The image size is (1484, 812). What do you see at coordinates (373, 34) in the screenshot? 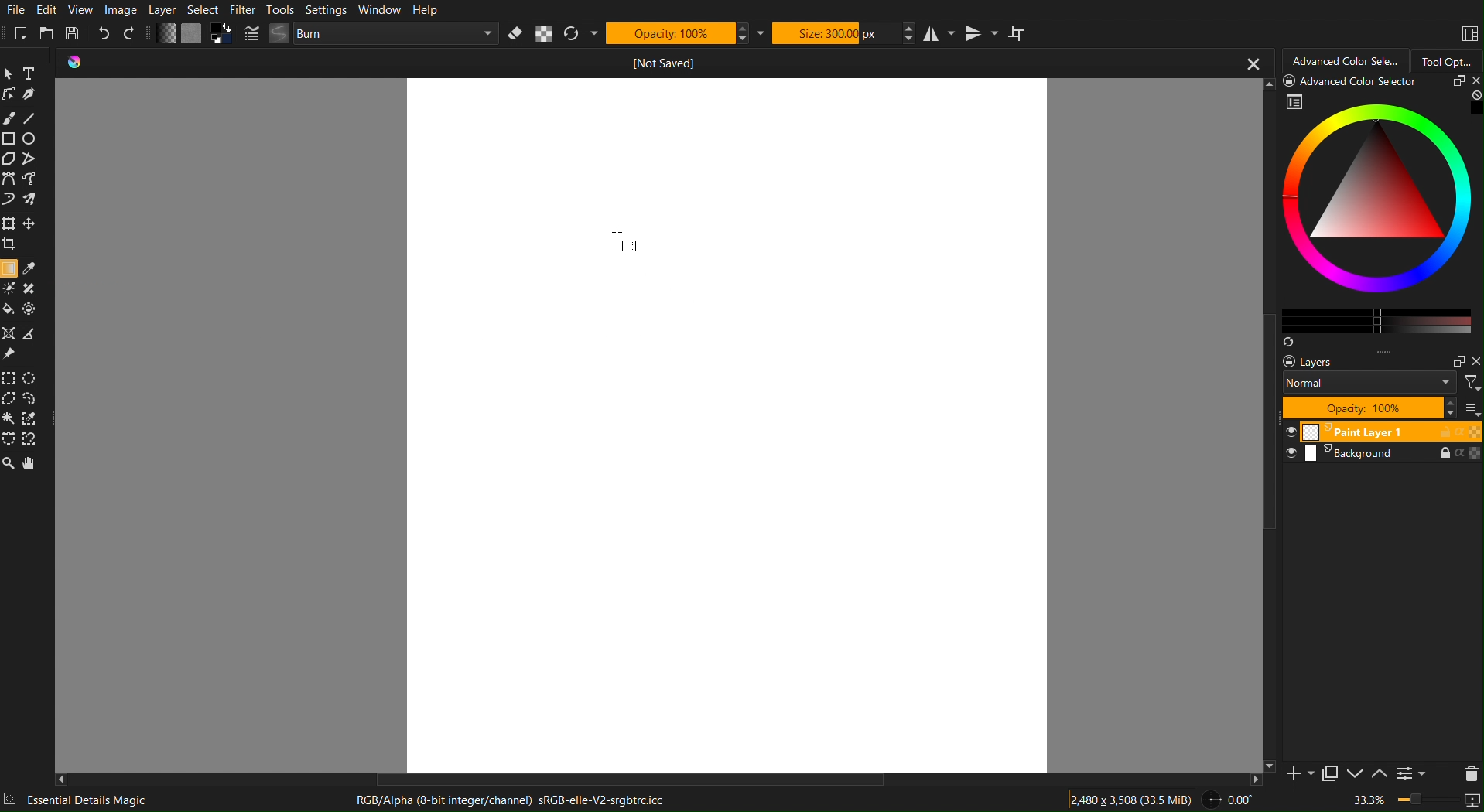
I see `Brush Settings` at bounding box center [373, 34].